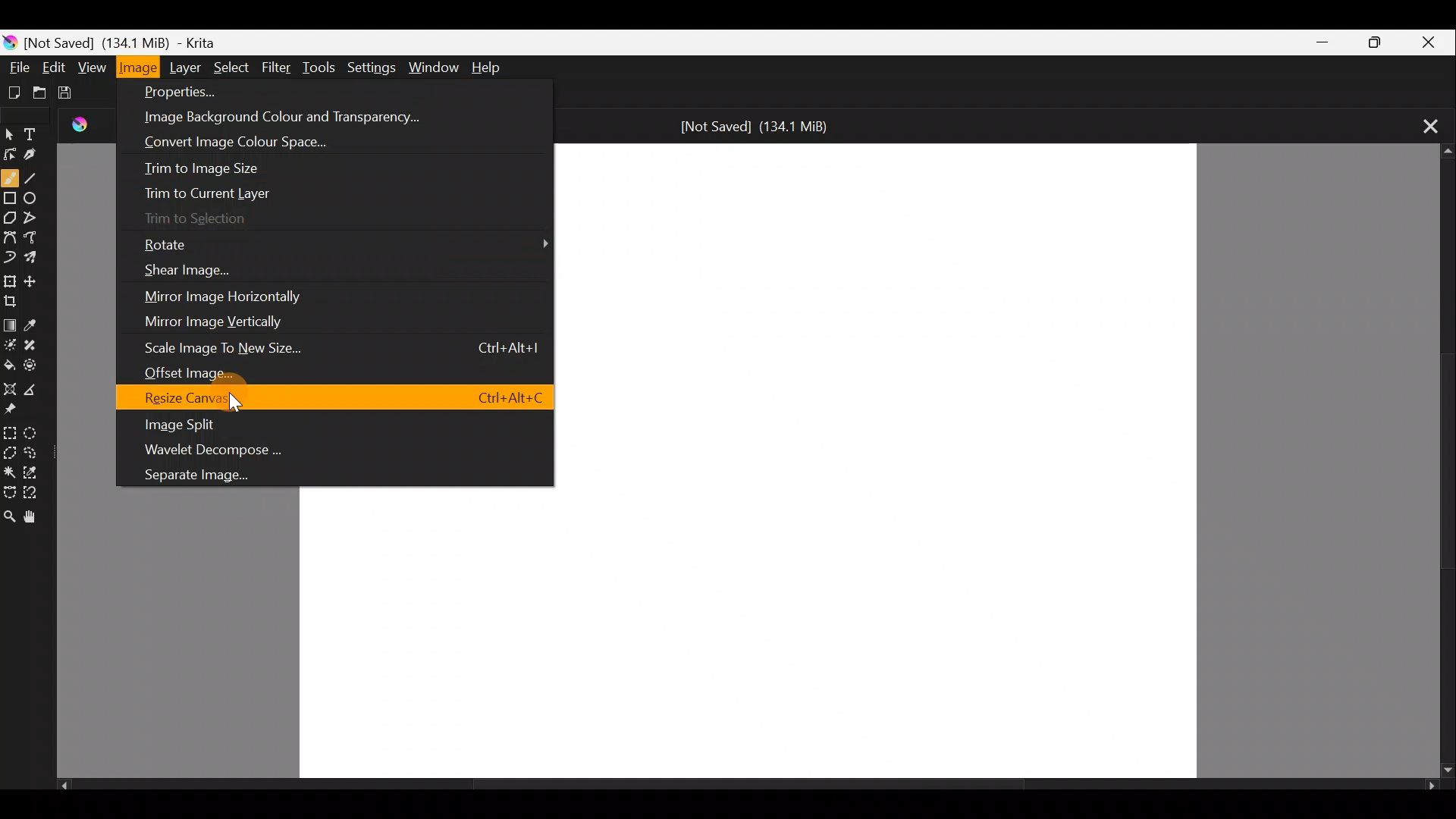 The height and width of the screenshot is (819, 1456). What do you see at coordinates (9, 489) in the screenshot?
I see `Bezier curve selection tool` at bounding box center [9, 489].